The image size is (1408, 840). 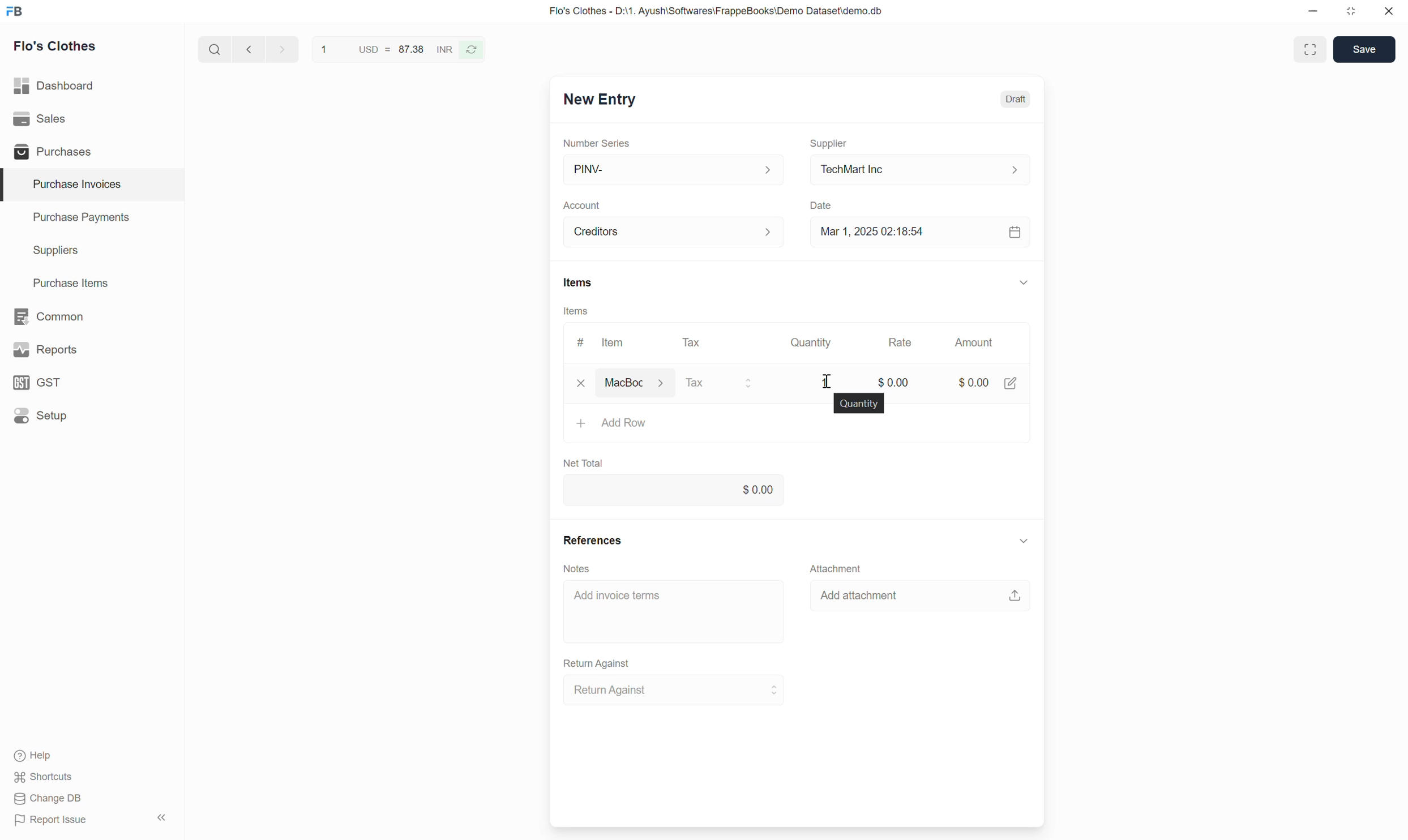 I want to click on Creditors, so click(x=675, y=232).